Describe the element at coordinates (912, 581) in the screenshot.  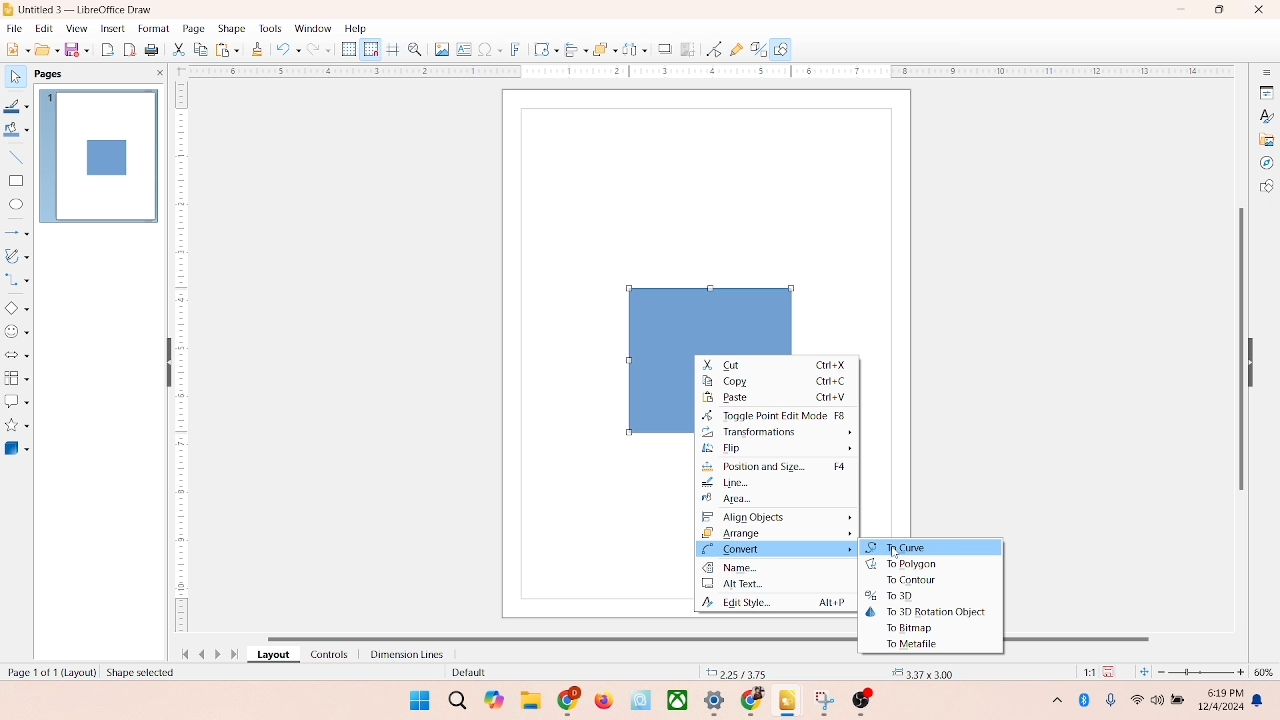
I see `to contour` at that location.